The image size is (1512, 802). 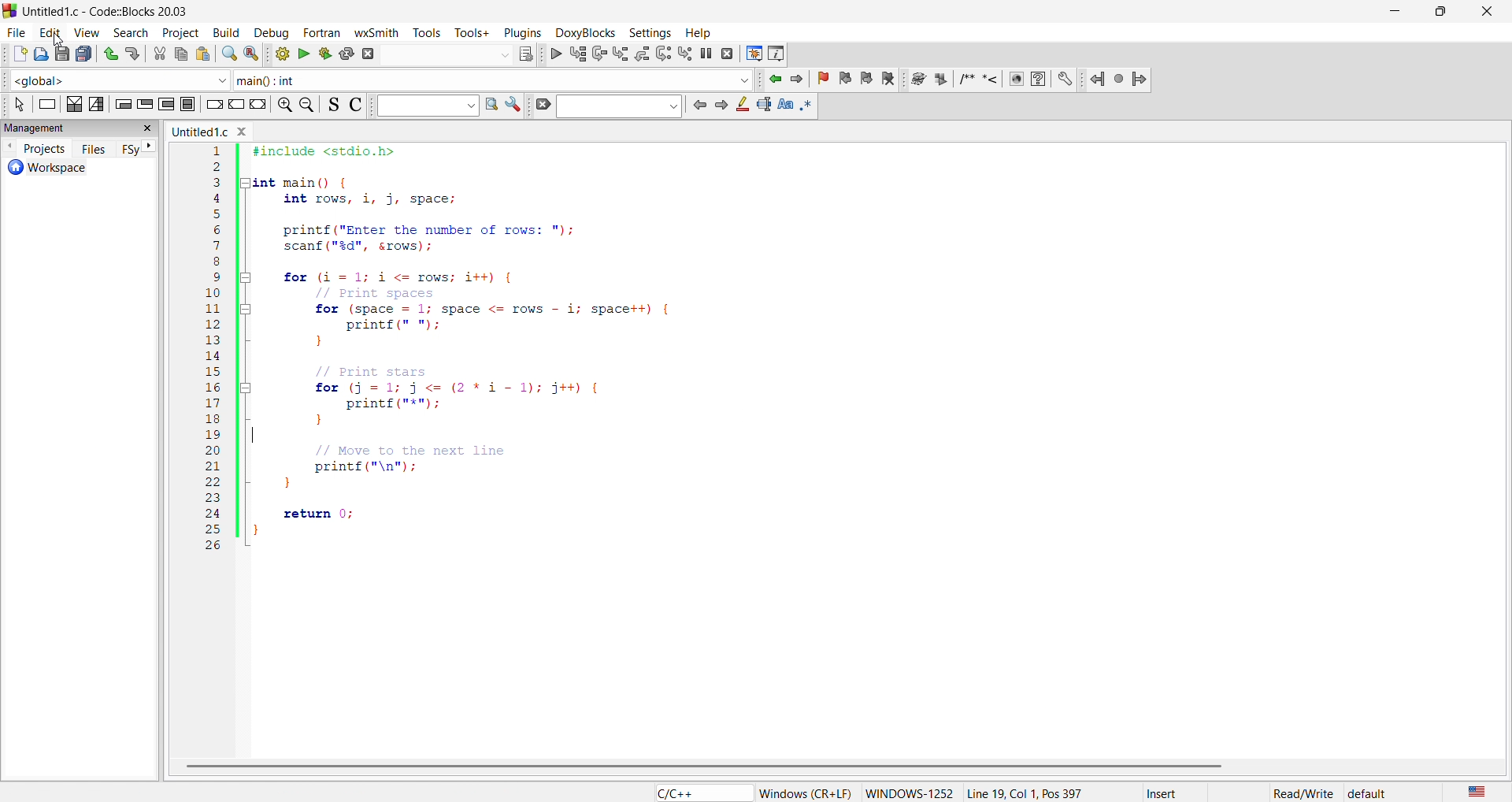 What do you see at coordinates (806, 793) in the screenshot?
I see `Windows (CR+LF)` at bounding box center [806, 793].